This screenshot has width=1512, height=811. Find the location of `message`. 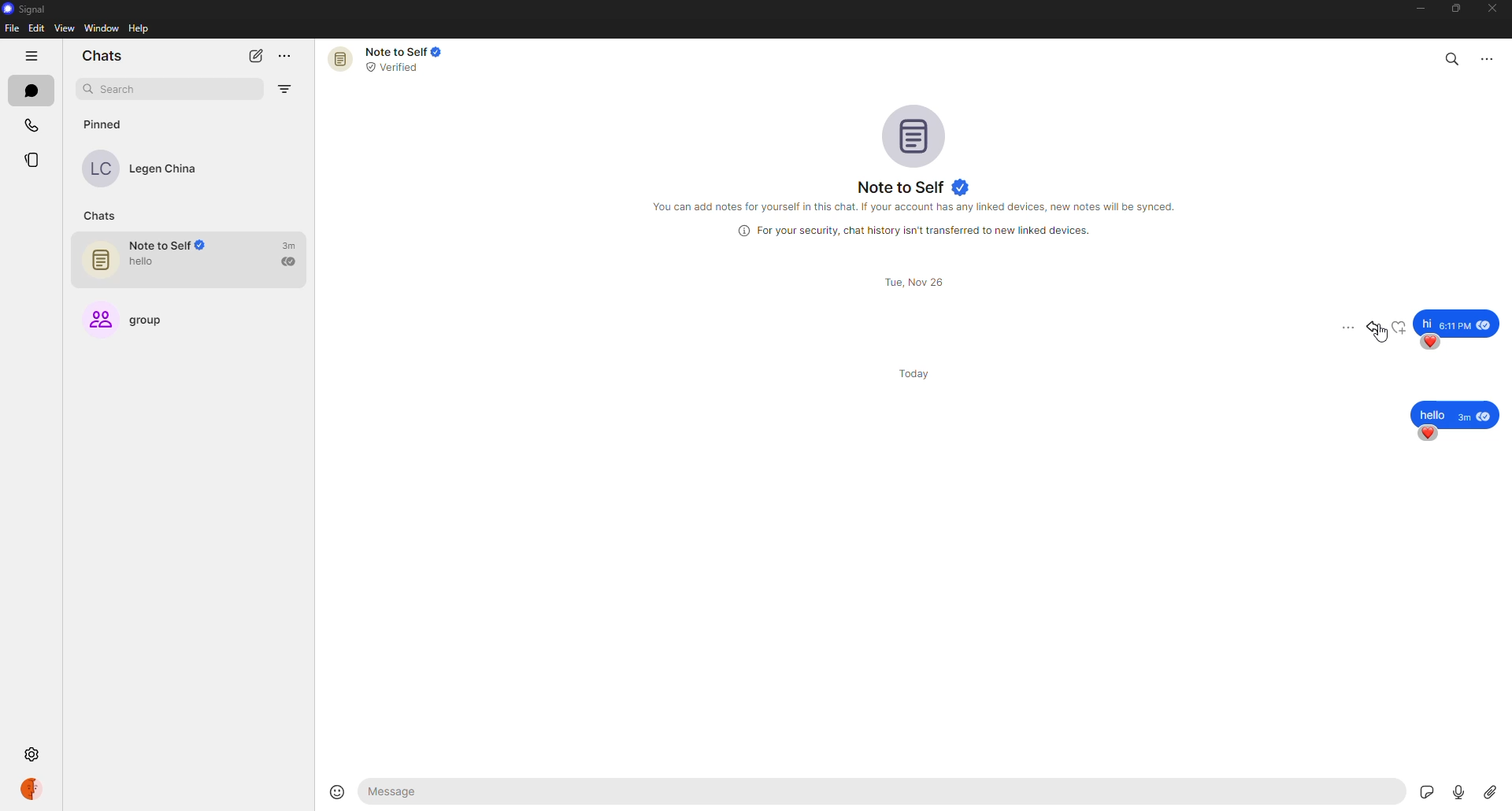

message is located at coordinates (1457, 321).